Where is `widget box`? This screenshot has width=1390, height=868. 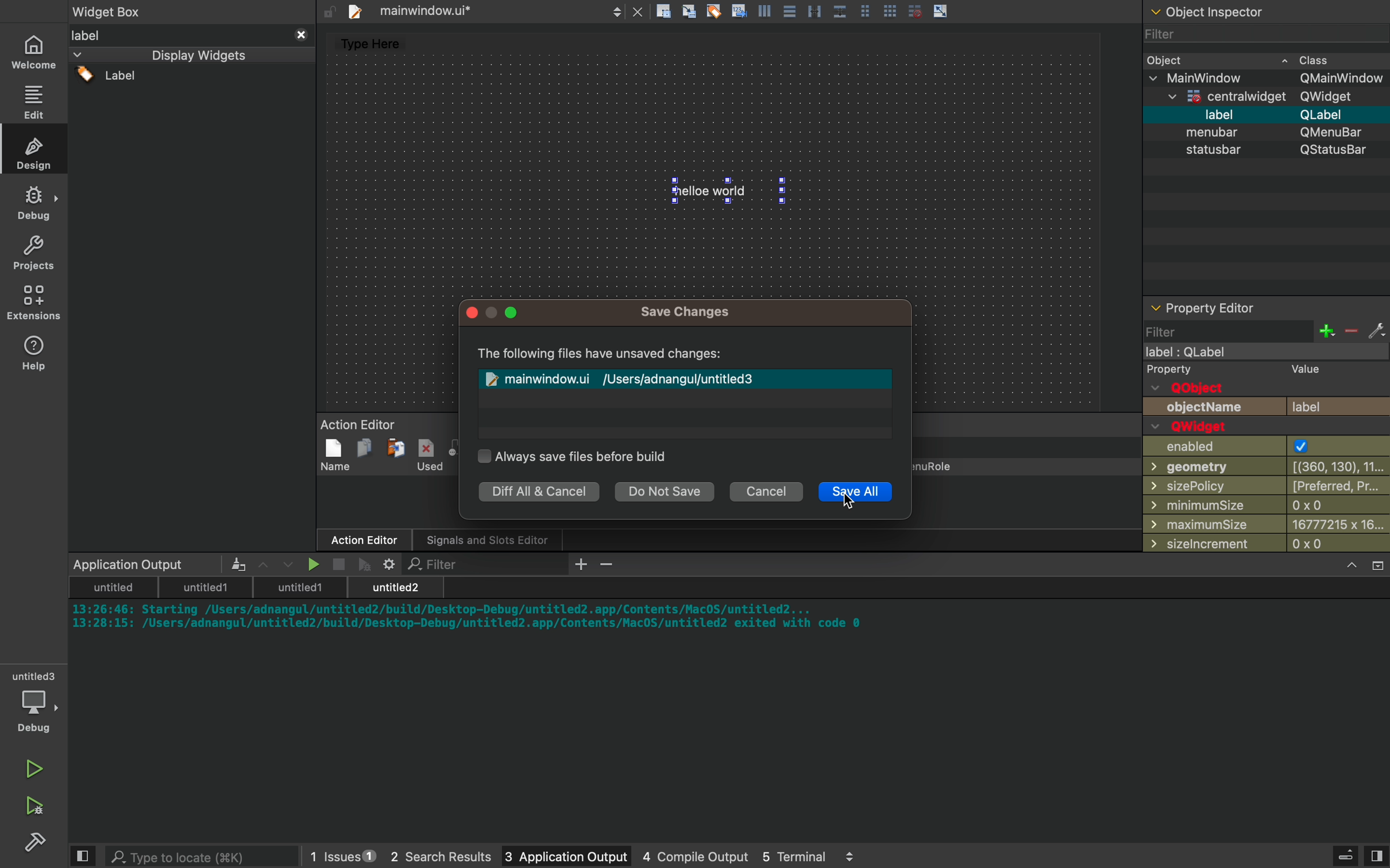
widget box is located at coordinates (125, 10).